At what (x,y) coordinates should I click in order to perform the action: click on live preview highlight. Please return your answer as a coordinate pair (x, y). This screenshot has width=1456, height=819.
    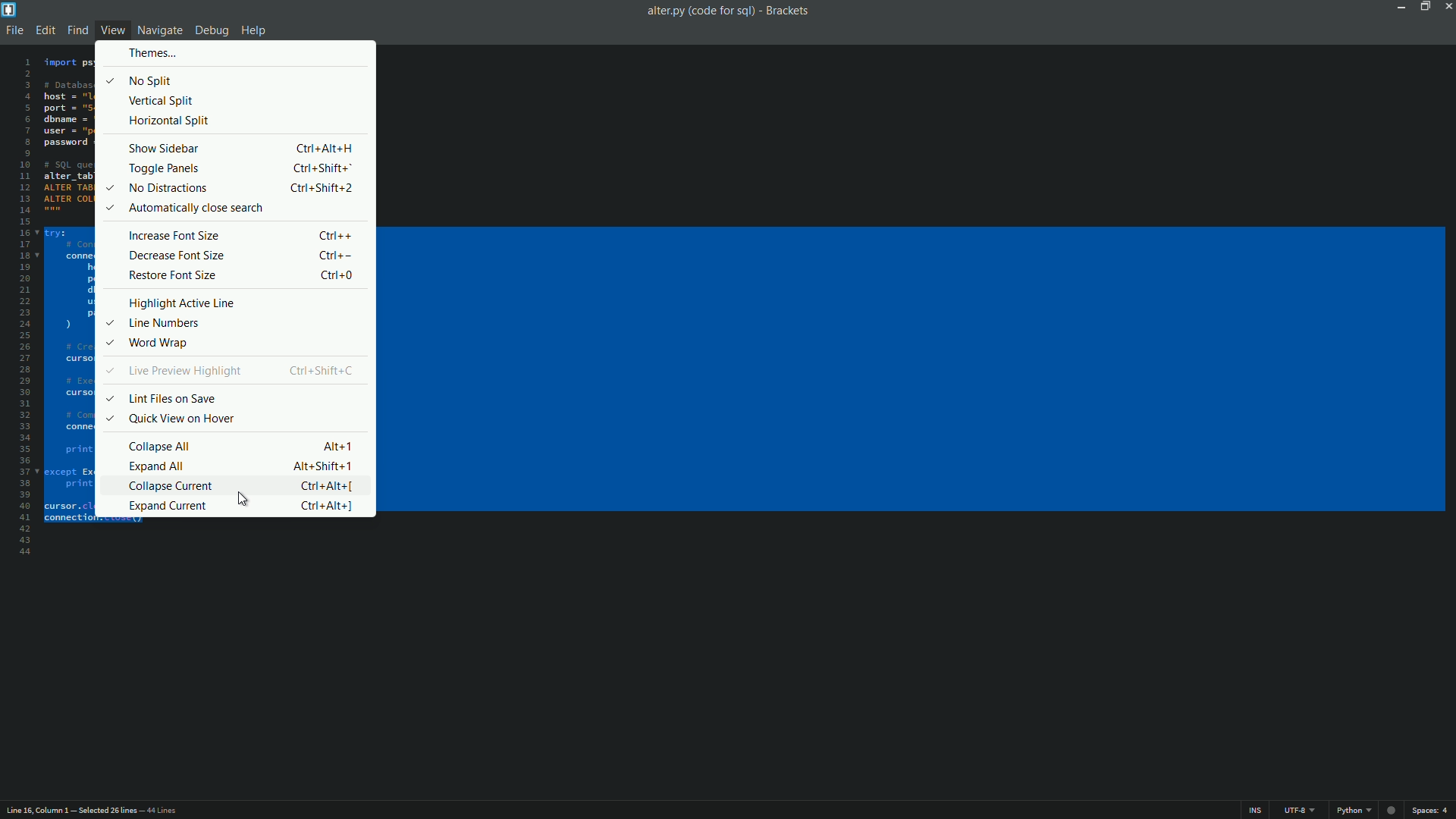
    Looking at the image, I should click on (184, 372).